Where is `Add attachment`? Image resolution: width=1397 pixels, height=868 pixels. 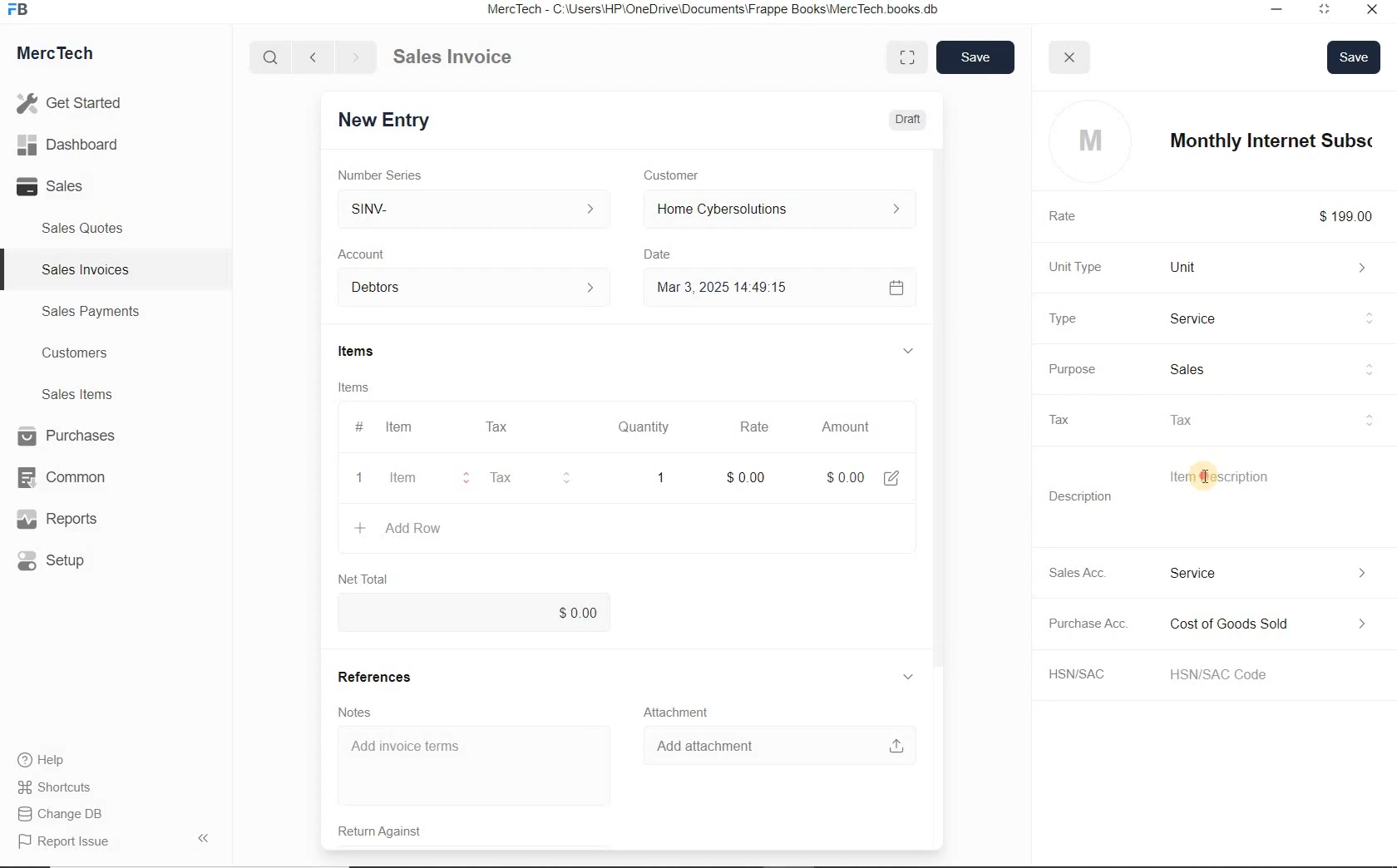
Add attachment is located at coordinates (770, 745).